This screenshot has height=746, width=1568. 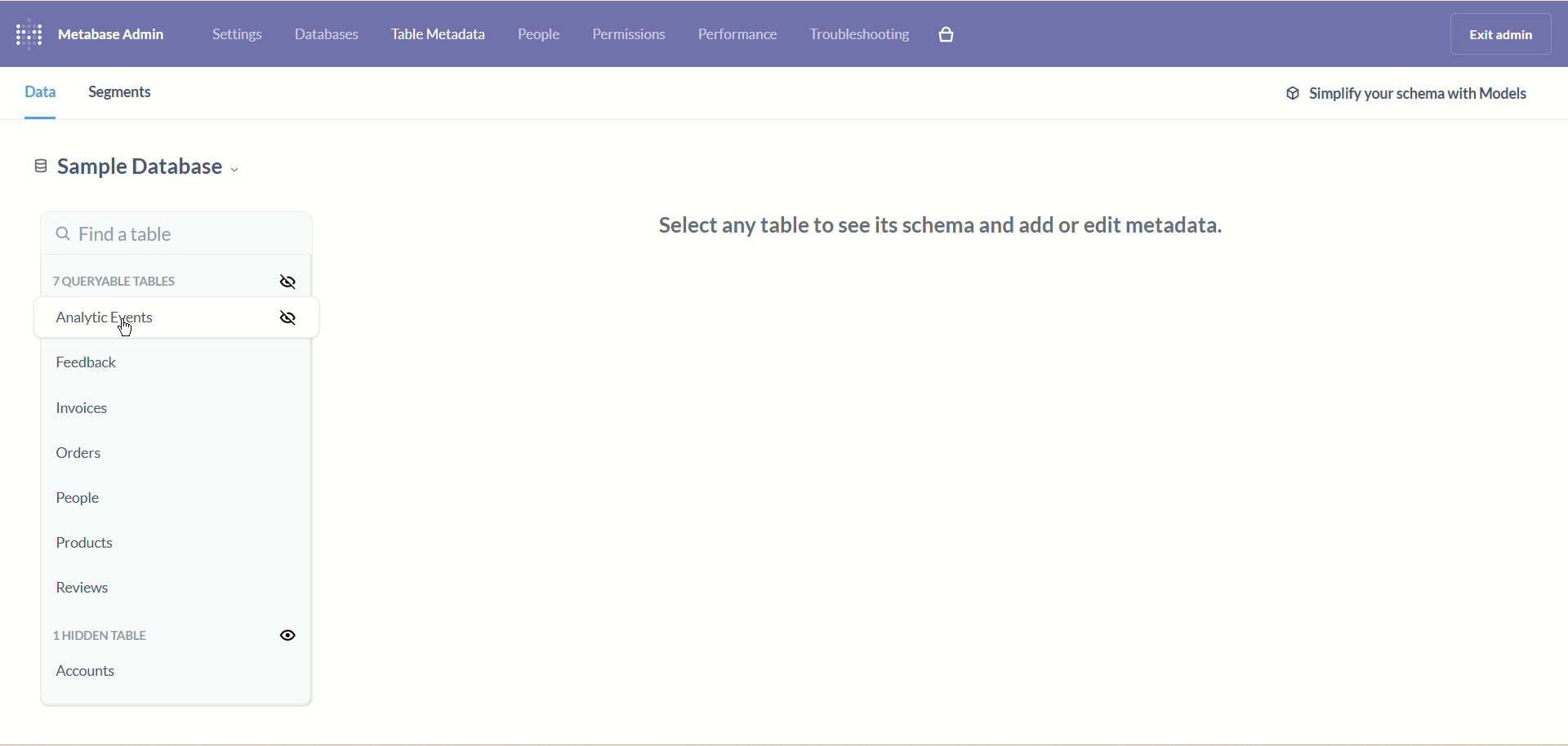 What do you see at coordinates (1493, 35) in the screenshot?
I see `Exit admin` at bounding box center [1493, 35].